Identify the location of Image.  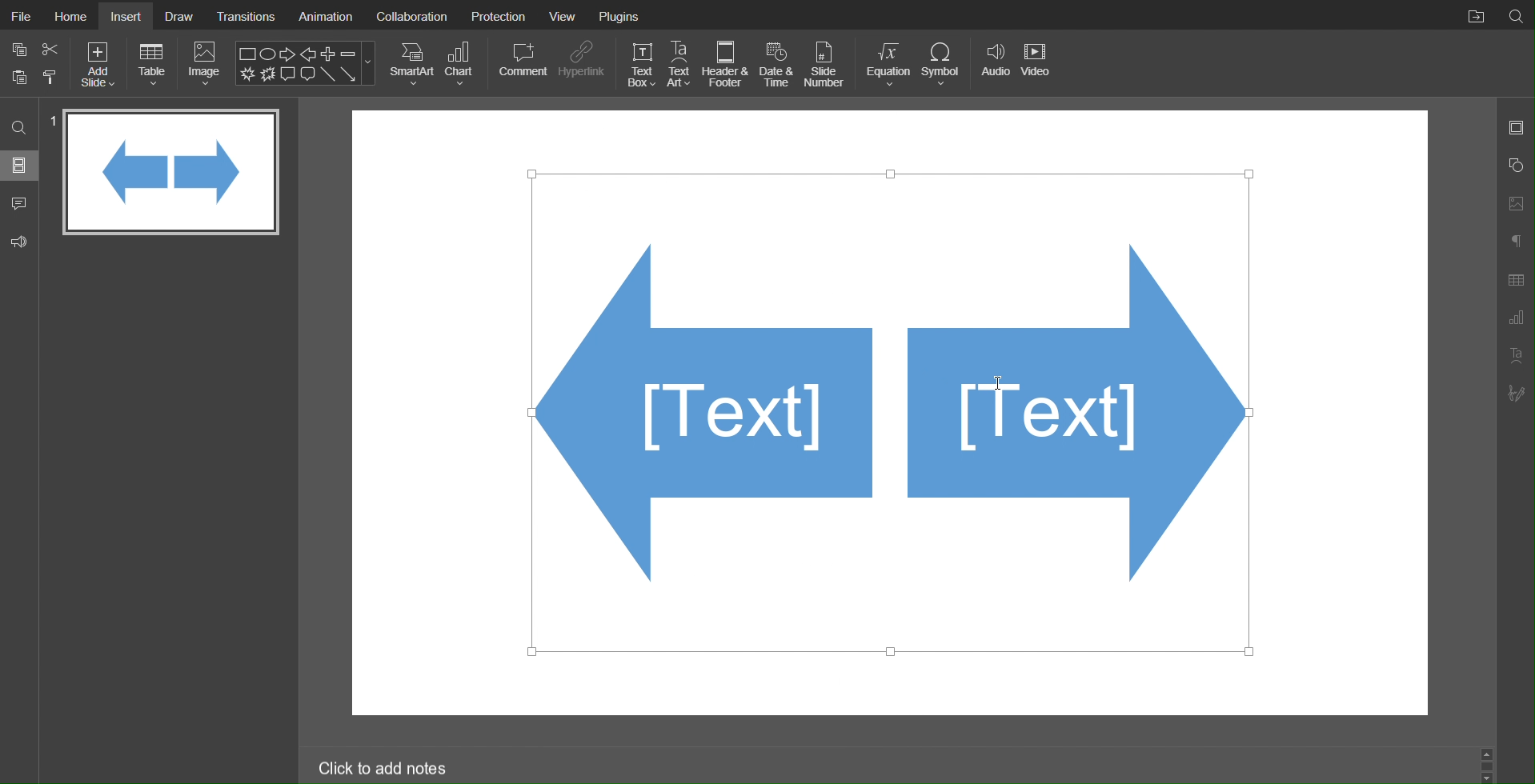
(205, 63).